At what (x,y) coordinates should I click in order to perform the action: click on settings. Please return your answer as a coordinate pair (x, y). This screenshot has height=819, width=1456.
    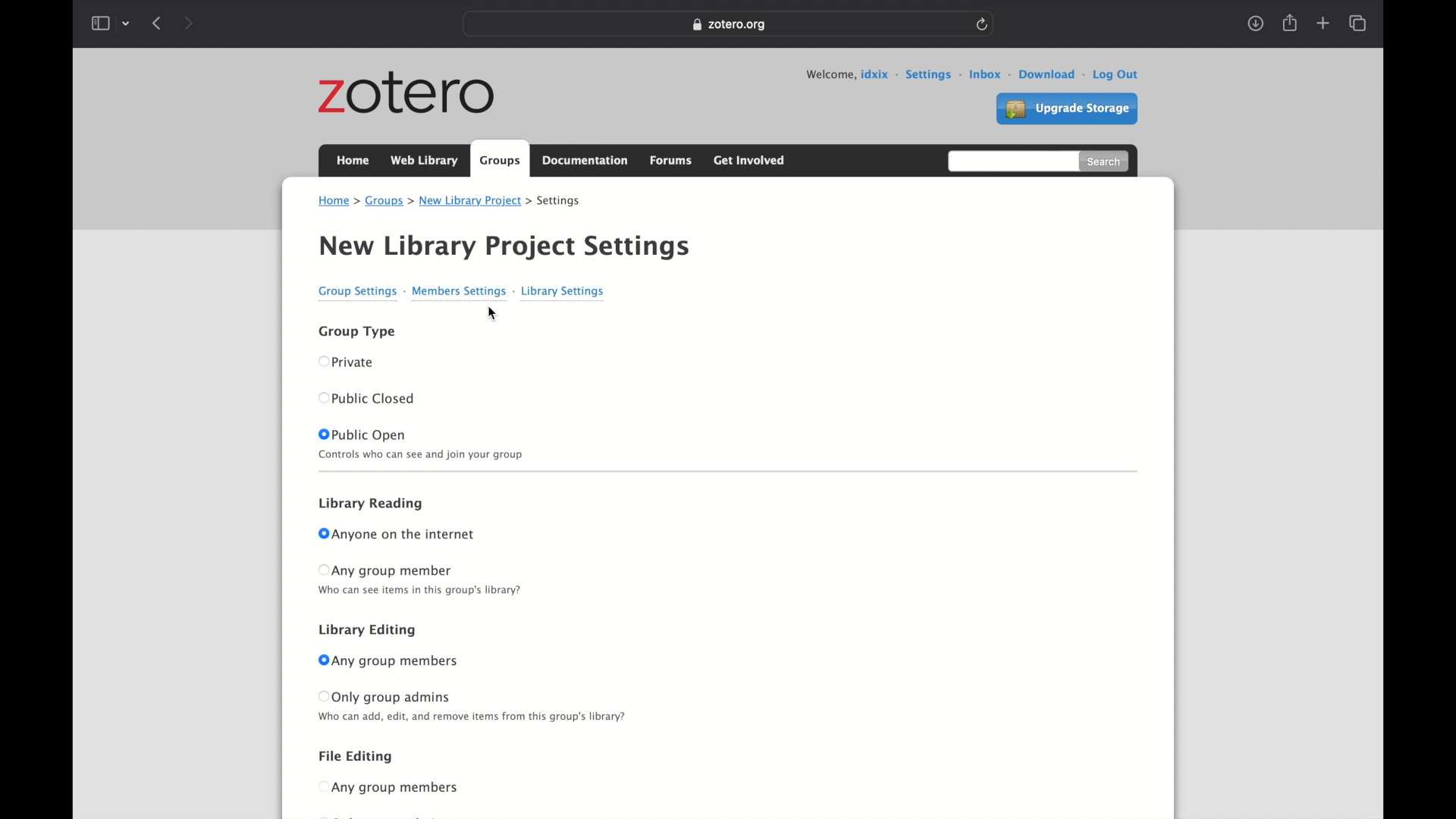
    Looking at the image, I should click on (560, 202).